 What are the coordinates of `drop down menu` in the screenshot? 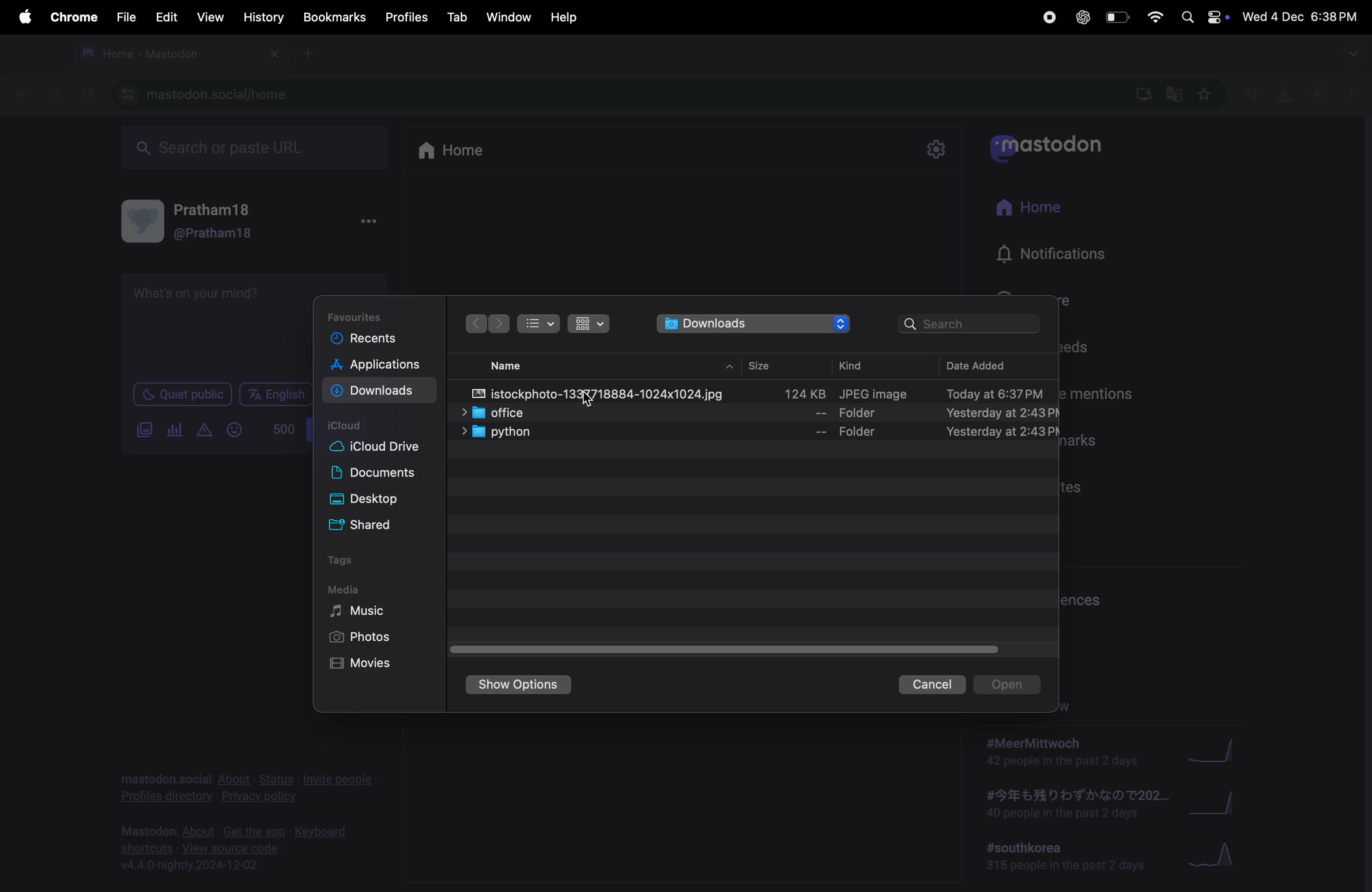 It's located at (1354, 54).